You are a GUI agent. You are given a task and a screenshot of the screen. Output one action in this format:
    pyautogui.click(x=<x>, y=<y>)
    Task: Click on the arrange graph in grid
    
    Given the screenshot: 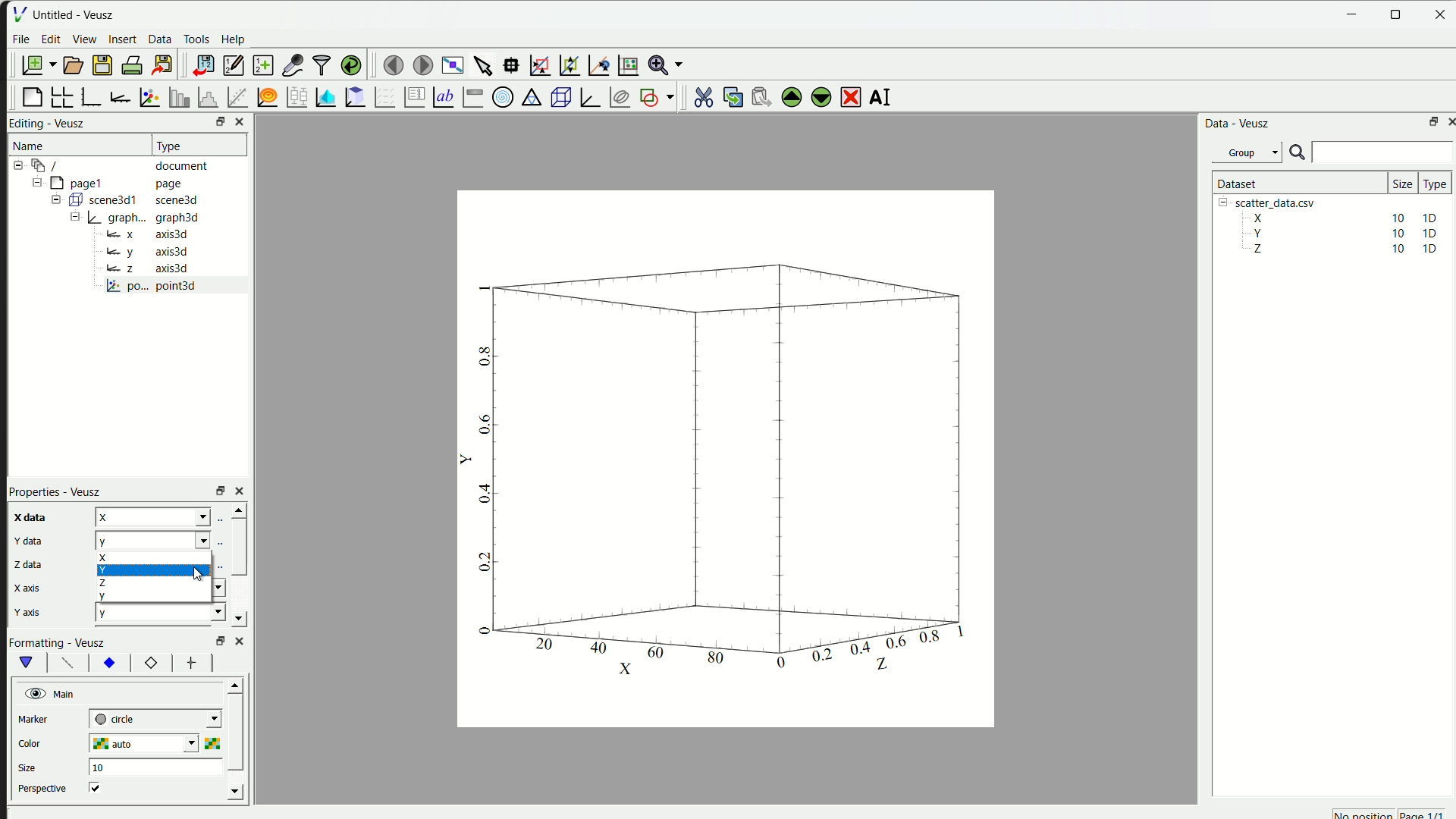 What is the action you would take?
    pyautogui.click(x=61, y=96)
    